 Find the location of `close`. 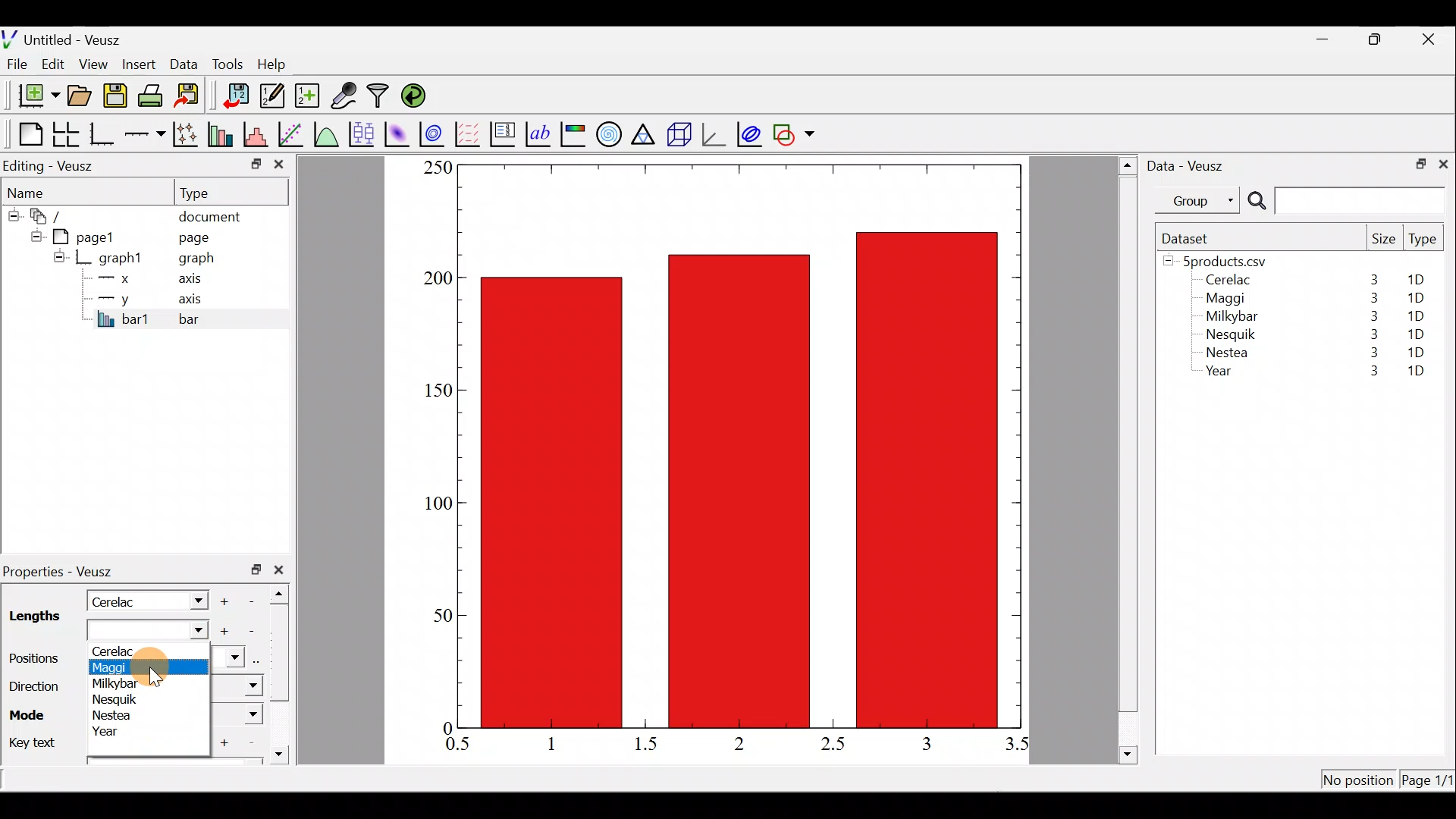

close is located at coordinates (282, 570).